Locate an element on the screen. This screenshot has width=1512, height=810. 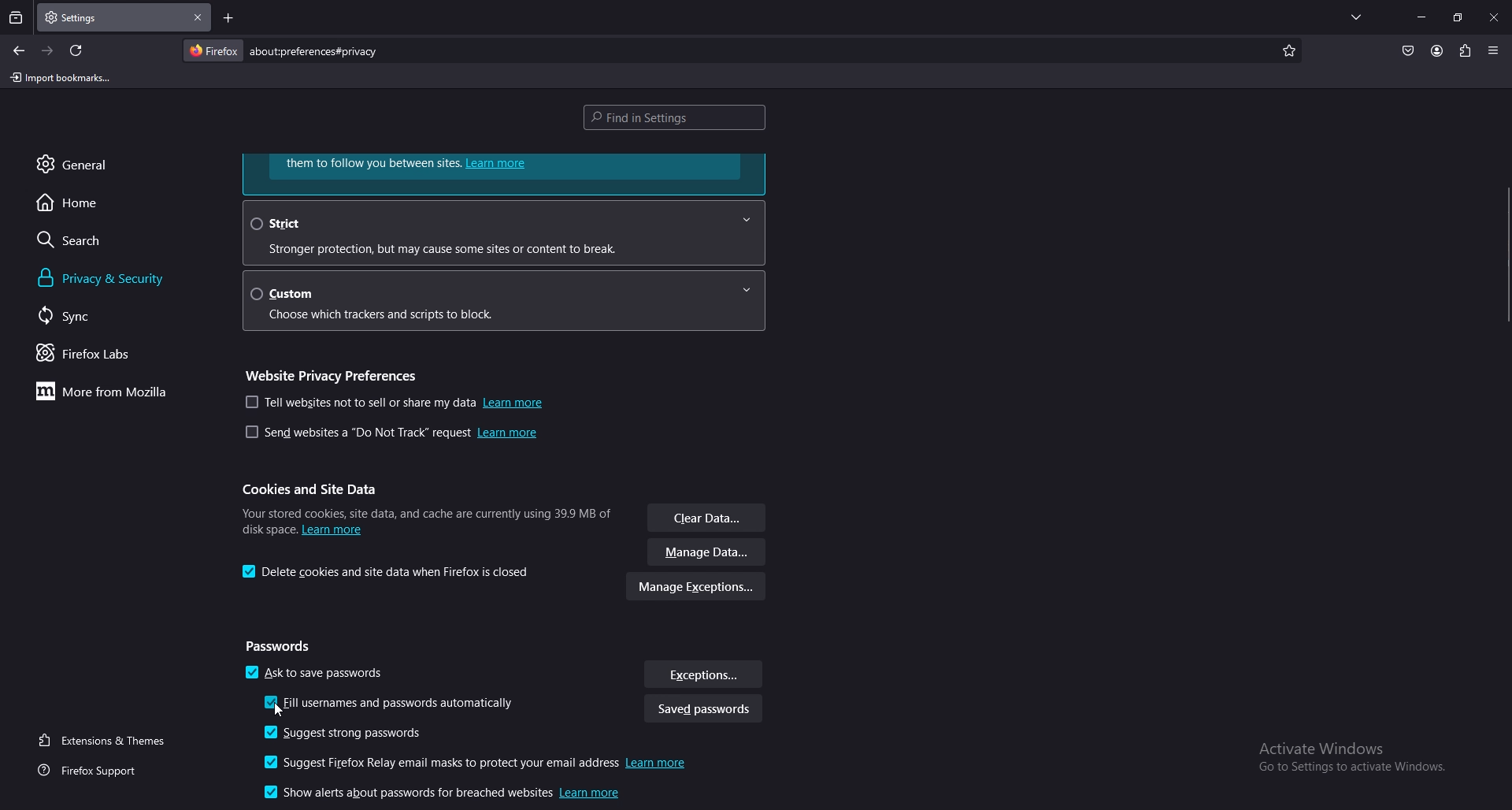
tab is located at coordinates (82, 18).